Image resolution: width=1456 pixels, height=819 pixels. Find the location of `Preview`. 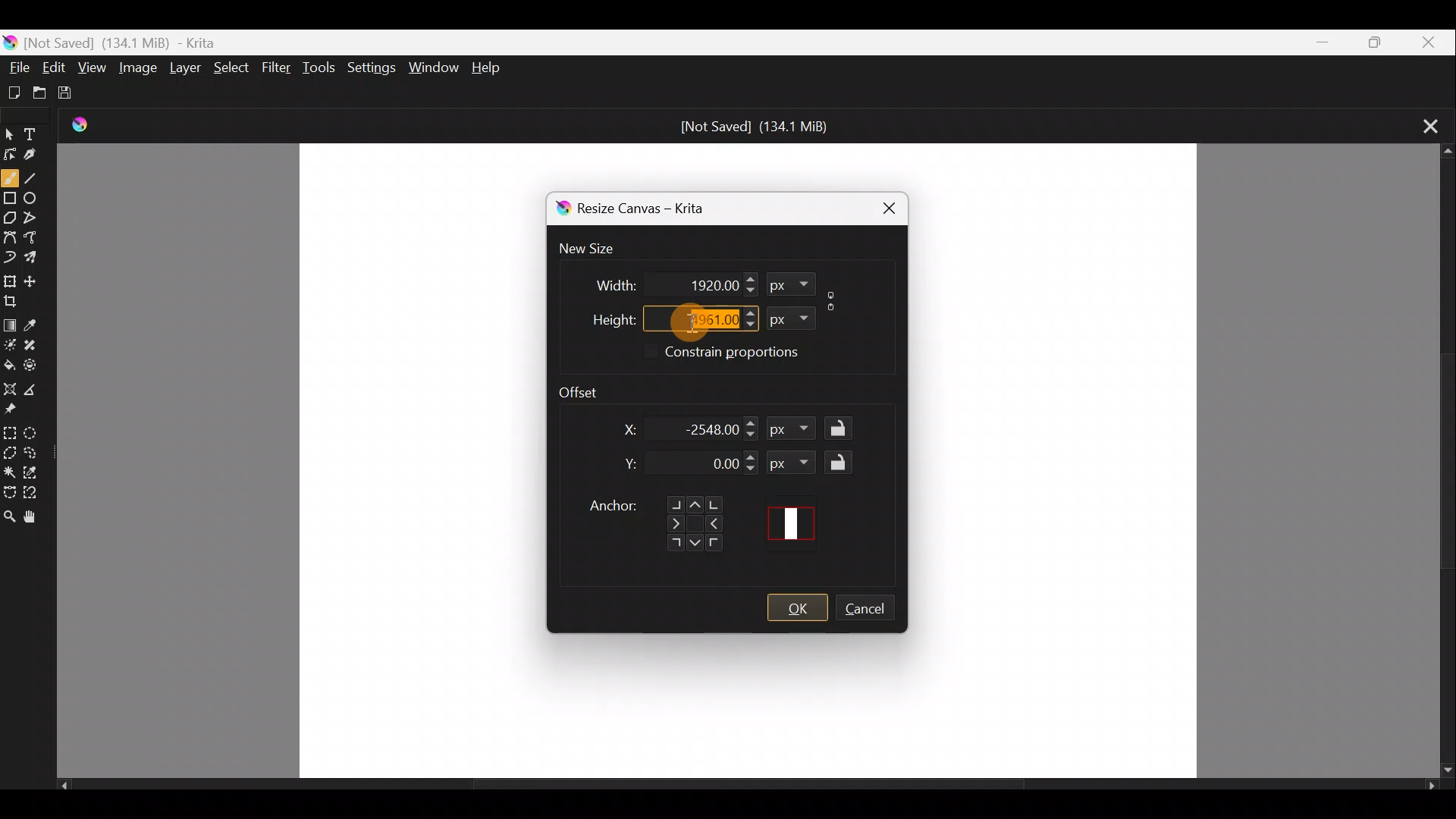

Preview is located at coordinates (796, 523).